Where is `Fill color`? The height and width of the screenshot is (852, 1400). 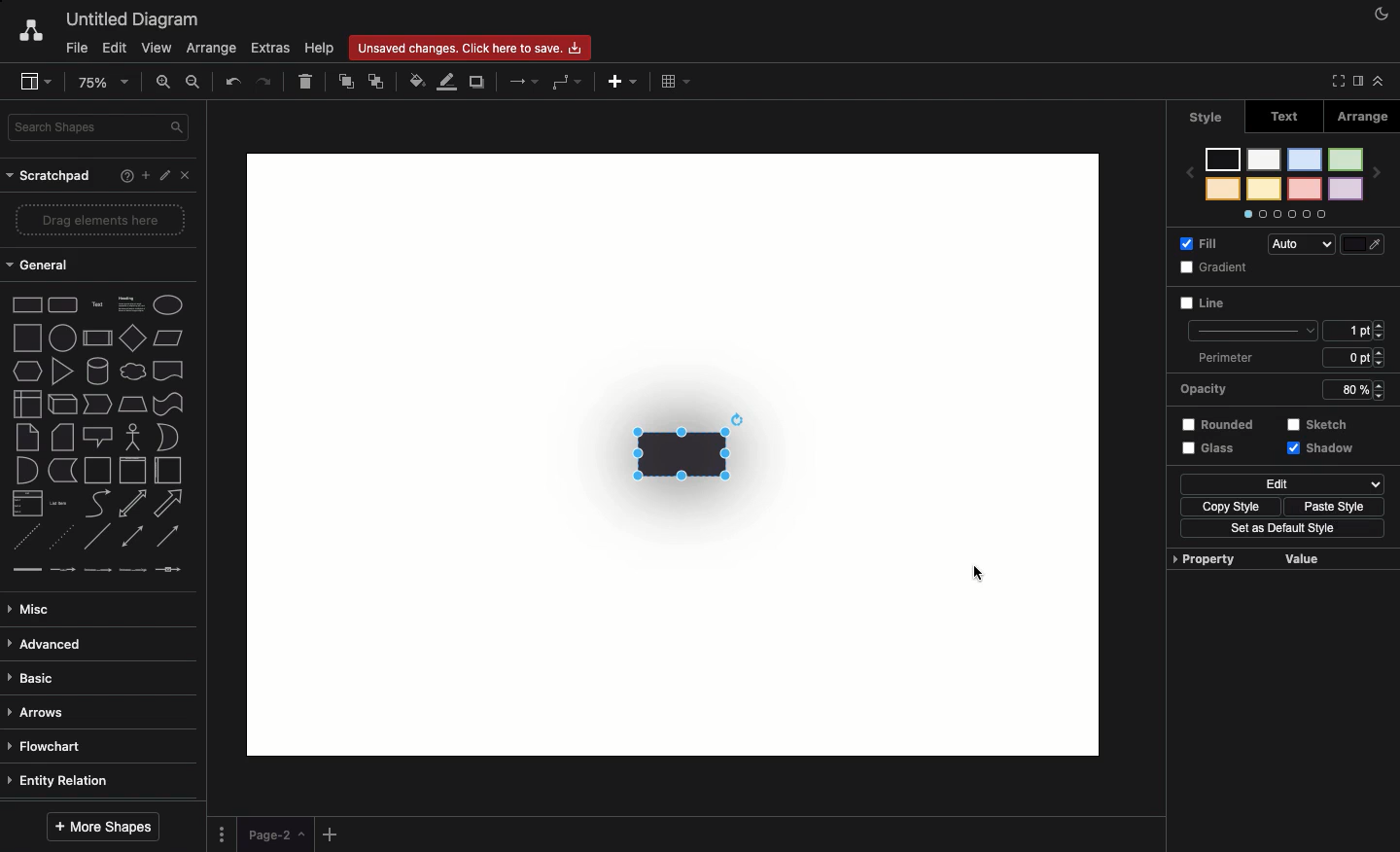 Fill color is located at coordinates (415, 79).